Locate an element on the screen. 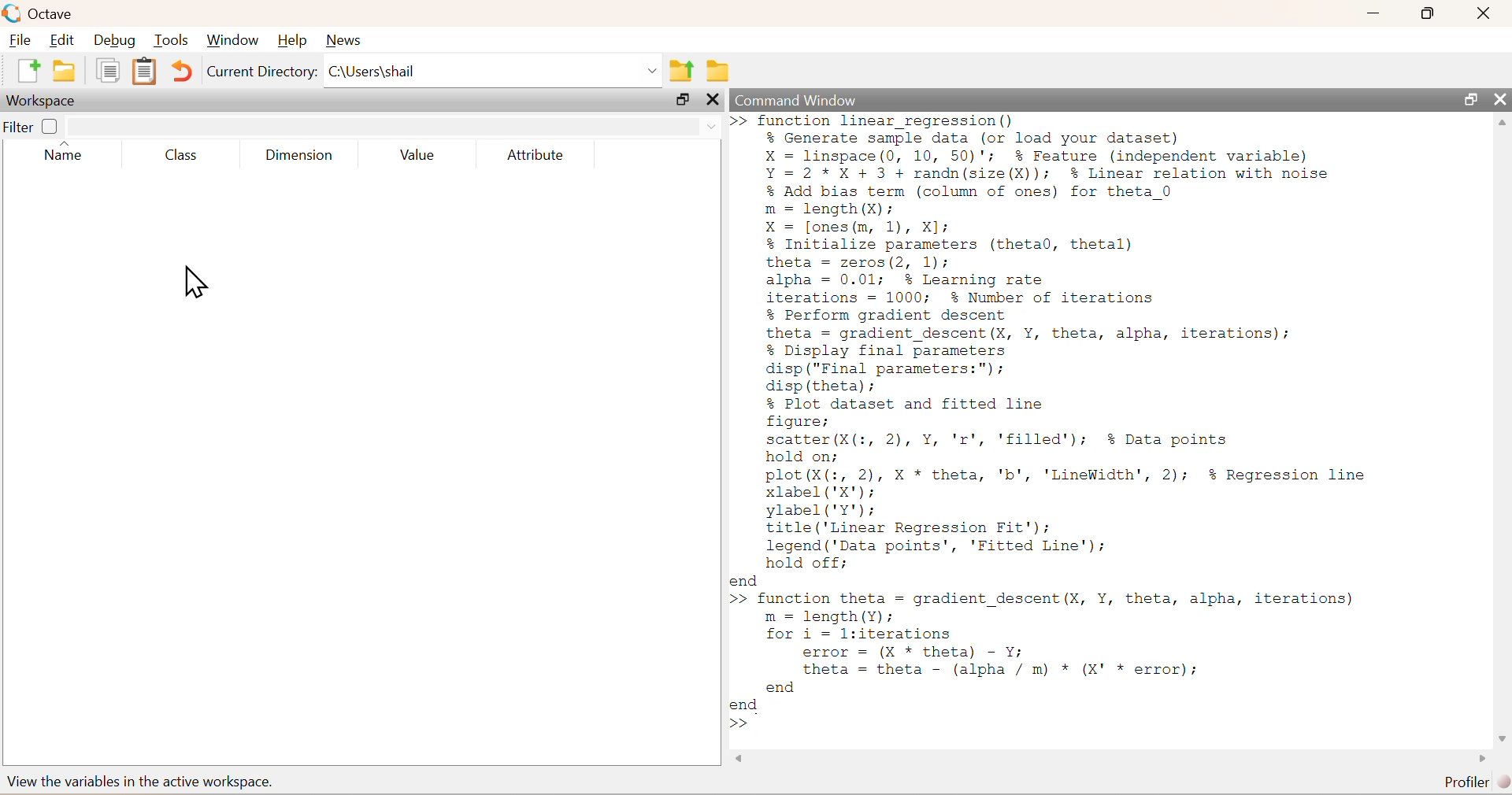 This screenshot has width=1512, height=795. folder is located at coordinates (64, 70).